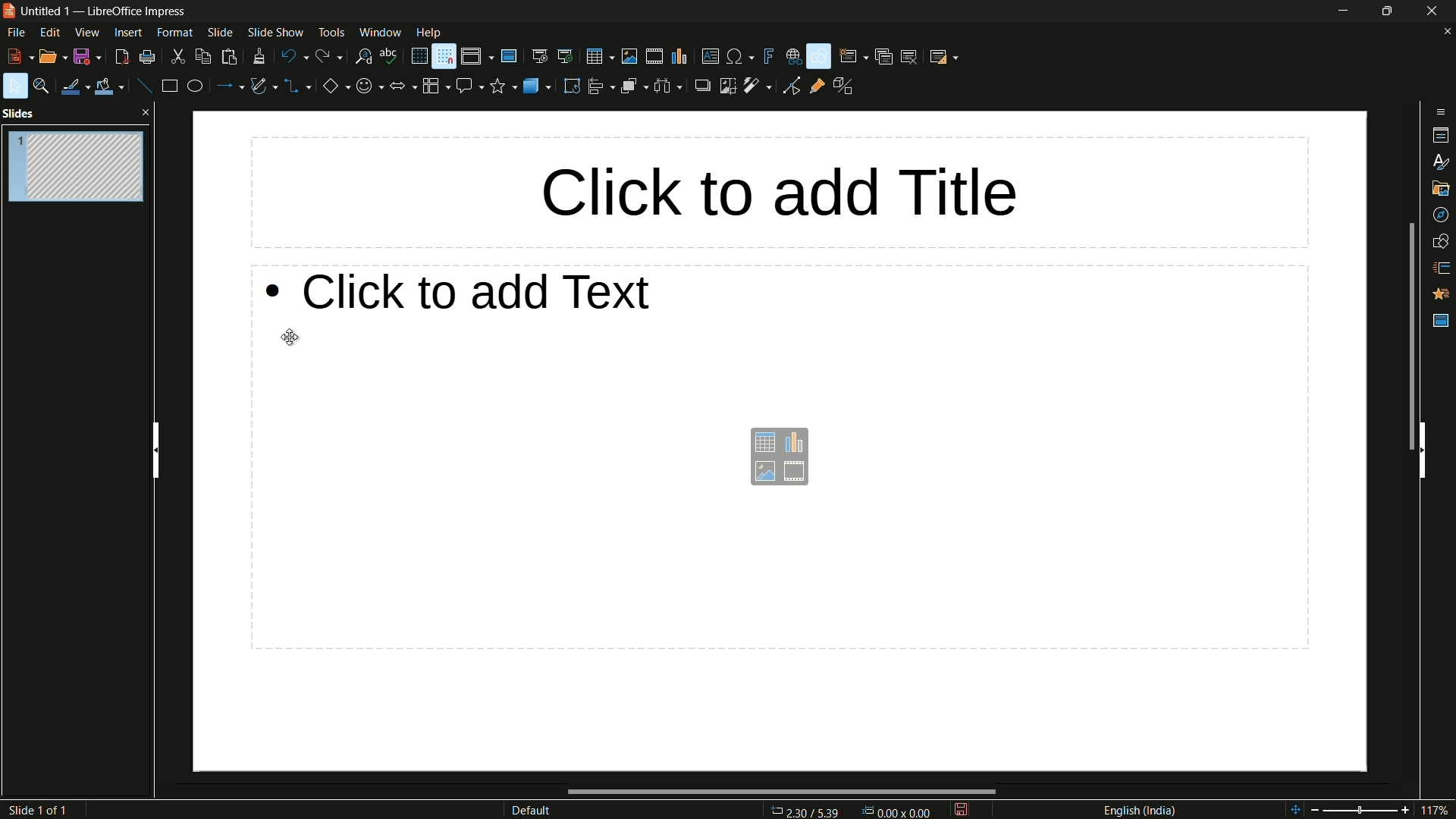 The image size is (1456, 819). I want to click on block arrows, so click(402, 86).